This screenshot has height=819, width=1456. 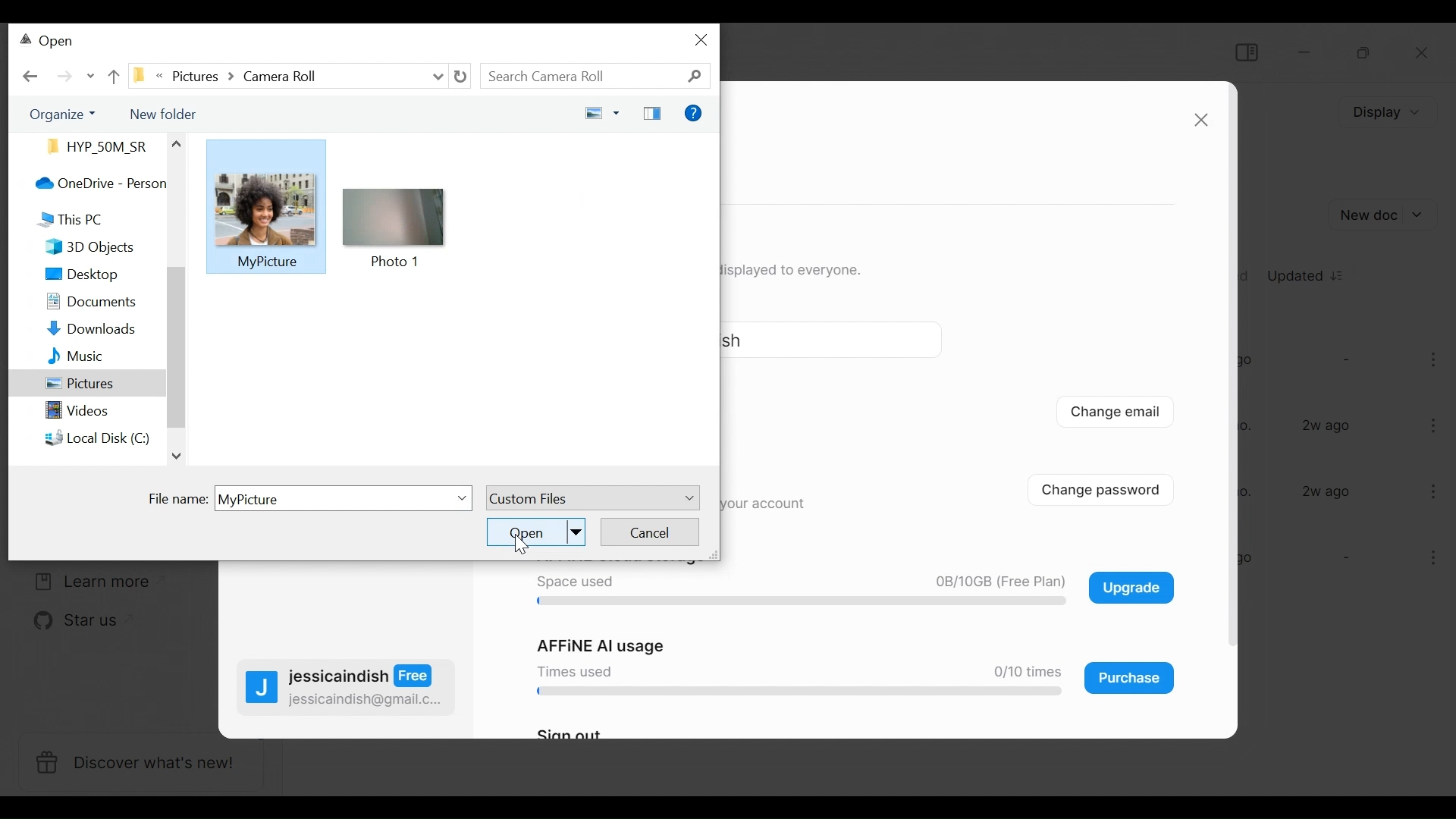 I want to click on , so click(x=174, y=143).